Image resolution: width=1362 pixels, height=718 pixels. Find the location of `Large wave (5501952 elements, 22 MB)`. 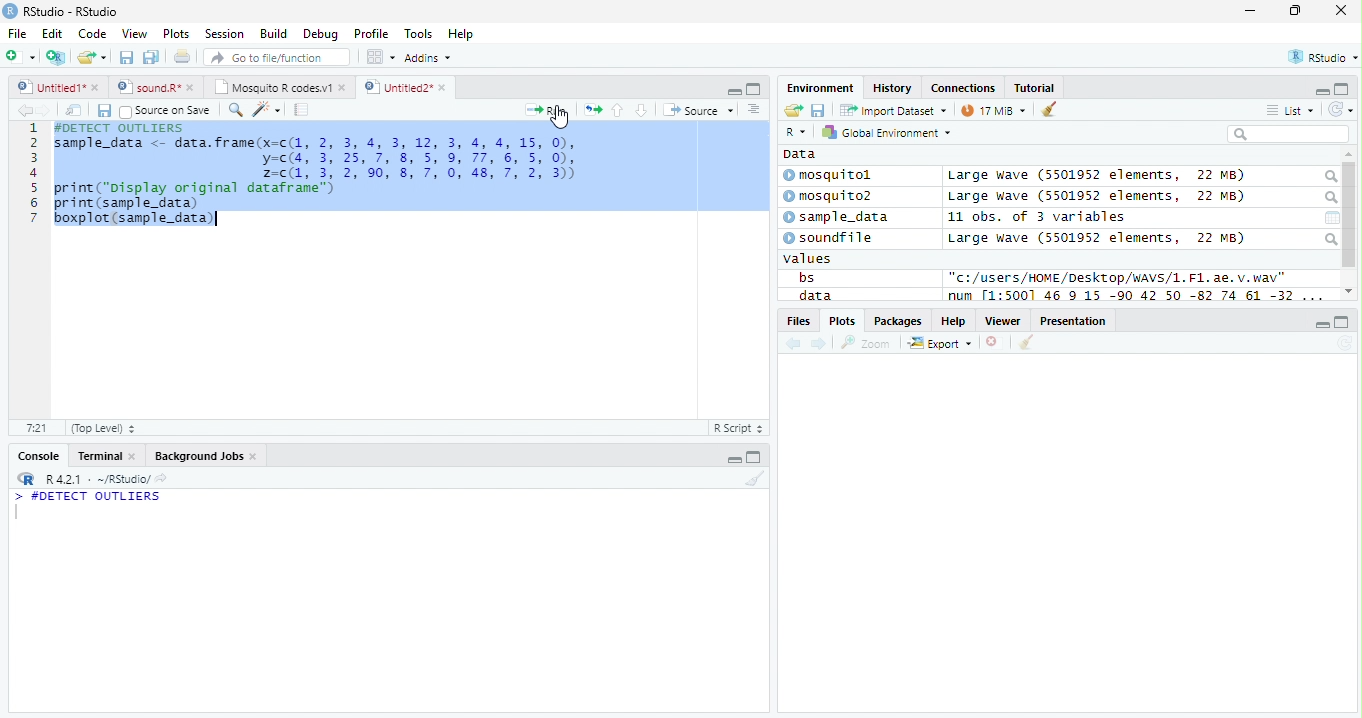

Large wave (5501952 elements, 22 MB) is located at coordinates (1096, 176).